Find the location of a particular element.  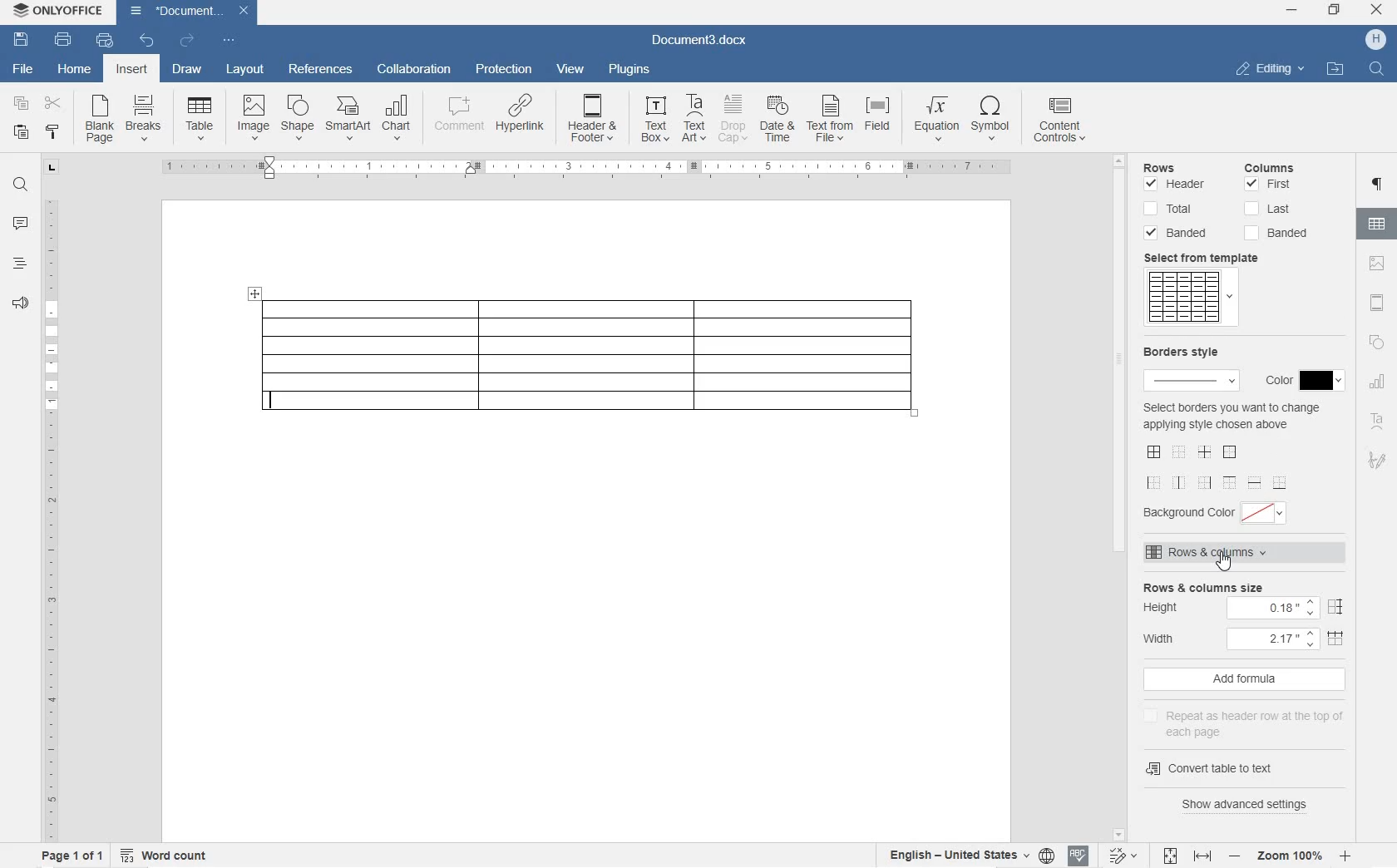

QUICK PRINT is located at coordinates (104, 42).